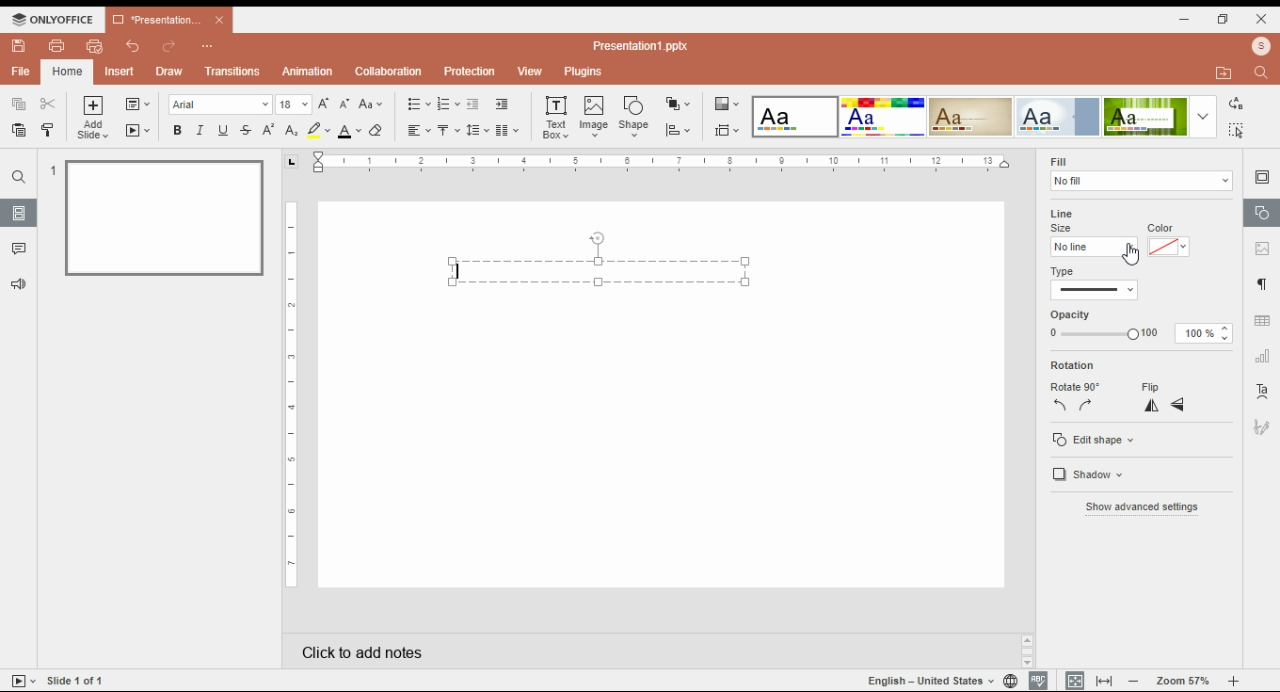 The image size is (1280, 692). What do you see at coordinates (1237, 102) in the screenshot?
I see `replace` at bounding box center [1237, 102].